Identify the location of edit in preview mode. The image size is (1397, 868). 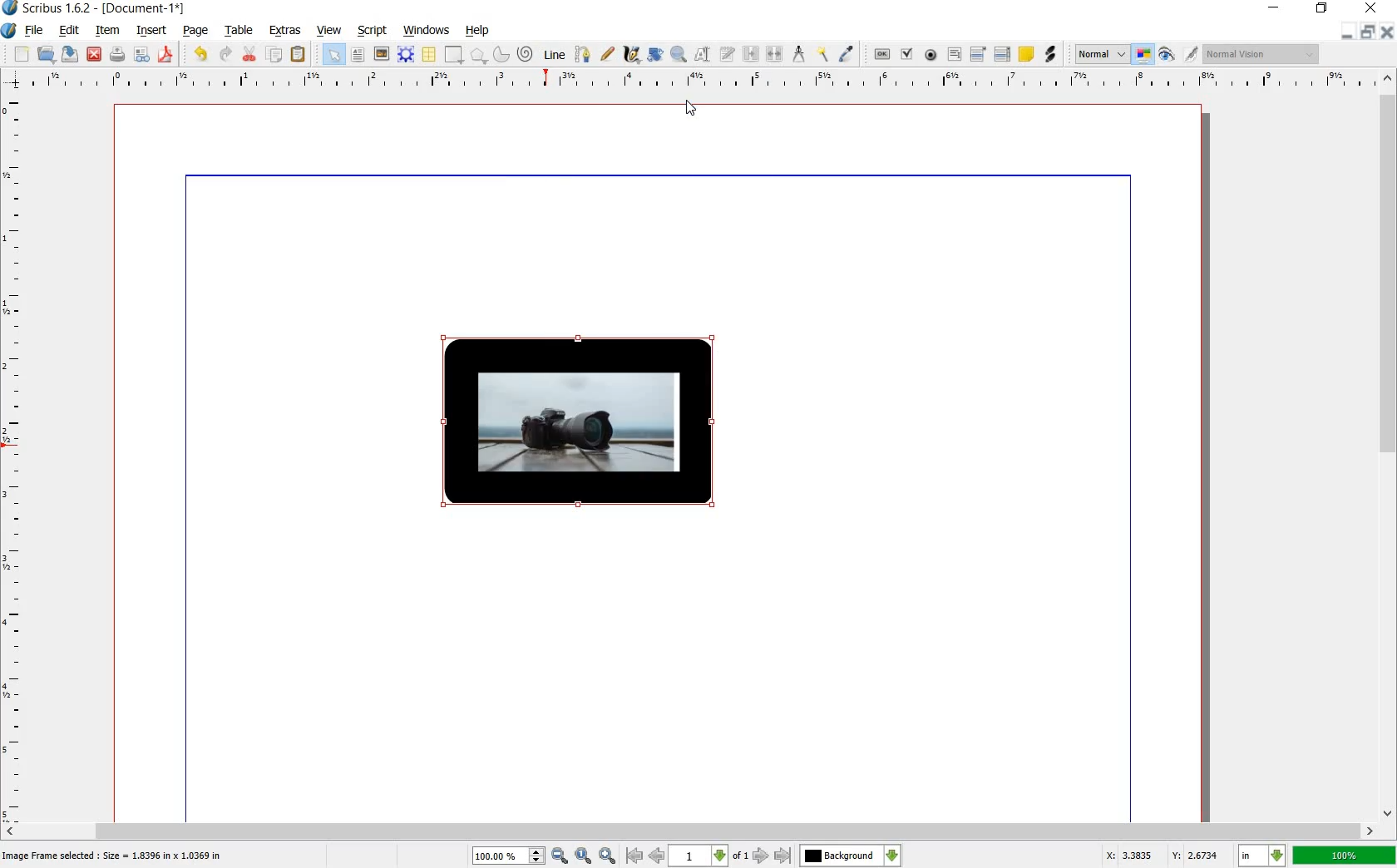
(1177, 55).